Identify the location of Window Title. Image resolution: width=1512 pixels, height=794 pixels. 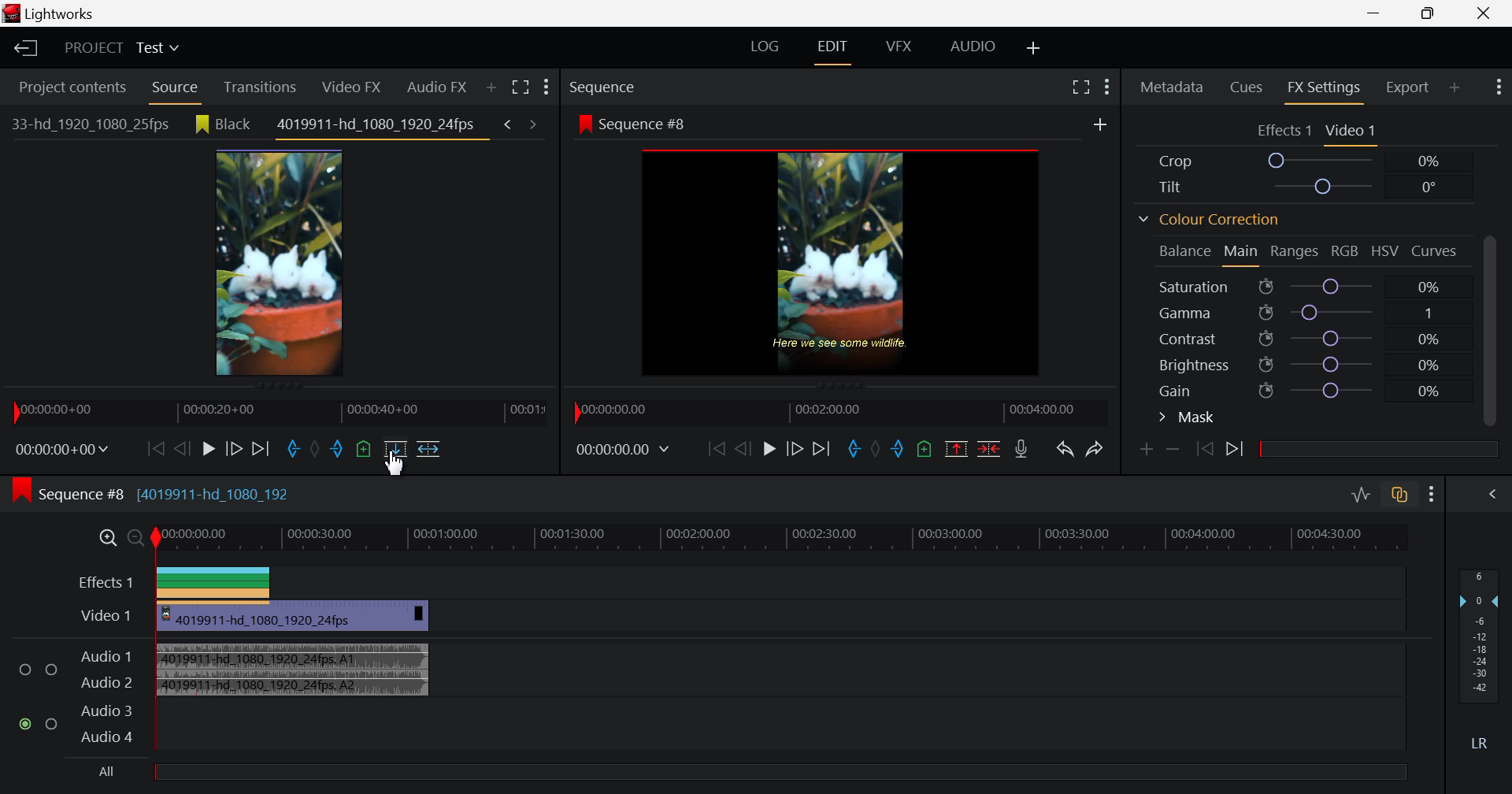
(61, 15).